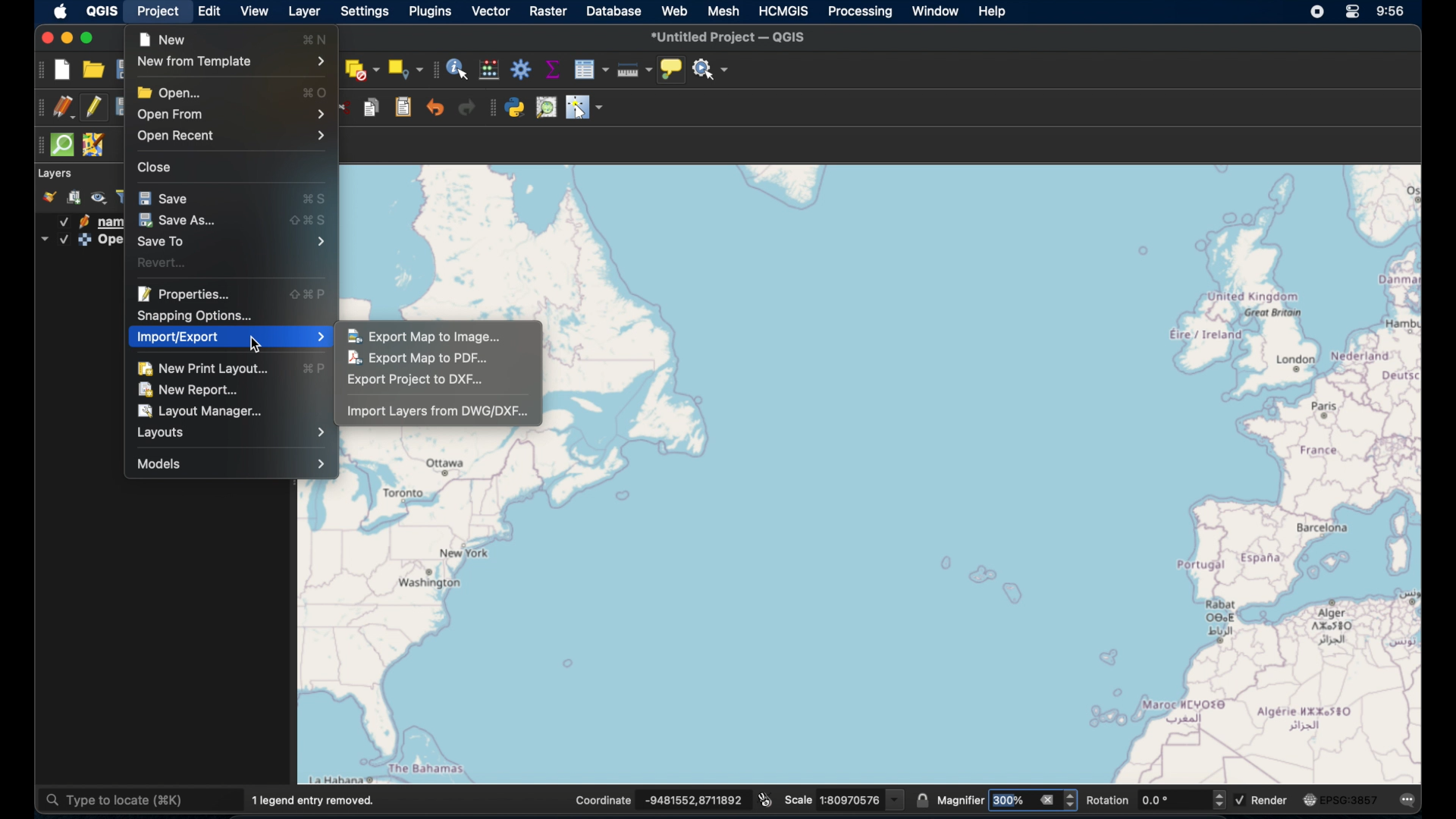  Describe the element at coordinates (711, 71) in the screenshot. I see `no action selected` at that location.